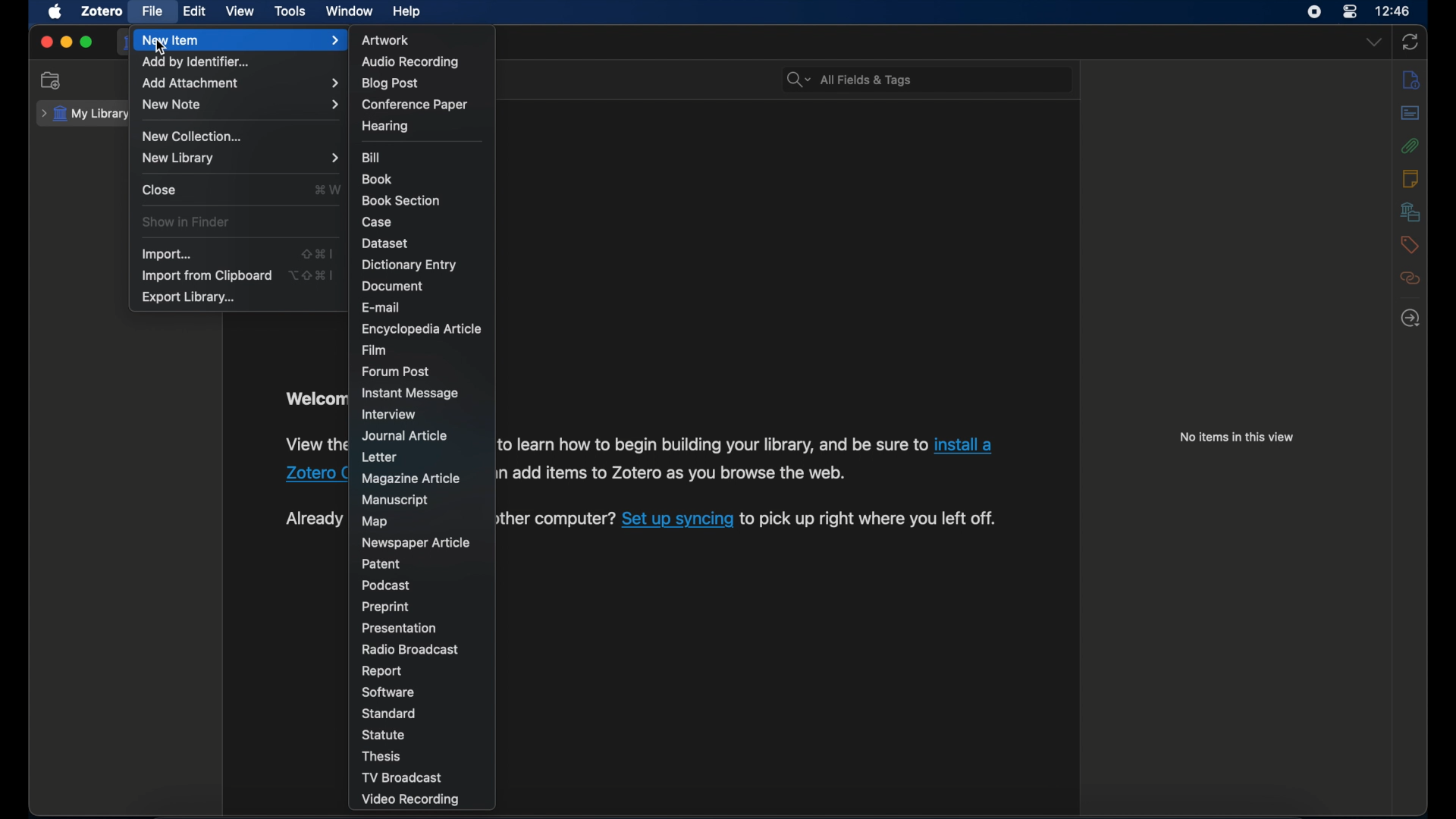 The height and width of the screenshot is (819, 1456). Describe the element at coordinates (326, 189) in the screenshot. I see `shortcut` at that location.